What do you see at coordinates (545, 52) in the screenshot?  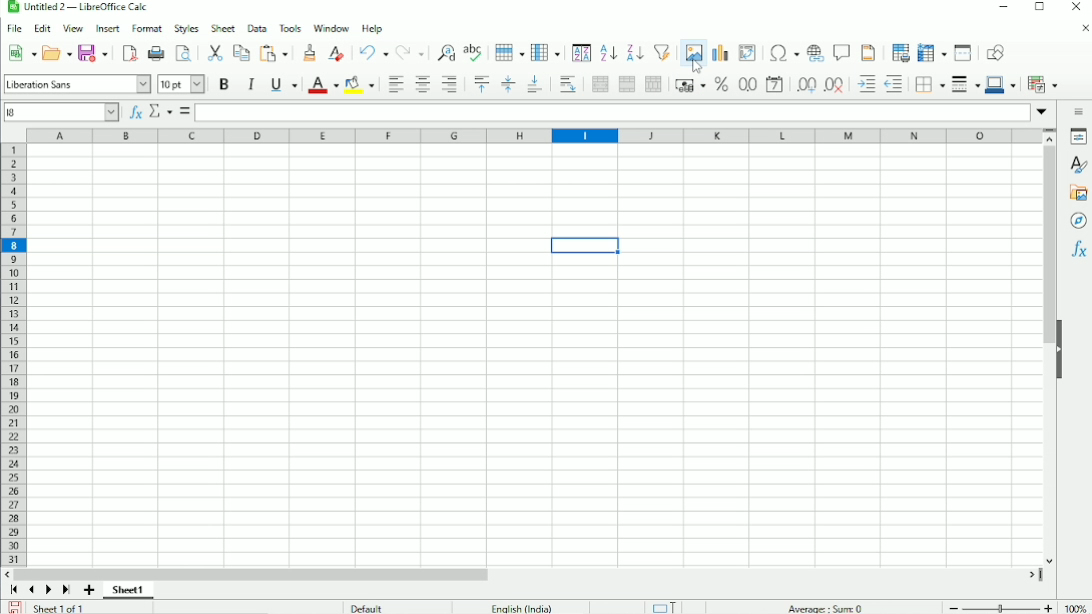 I see `Columns` at bounding box center [545, 52].